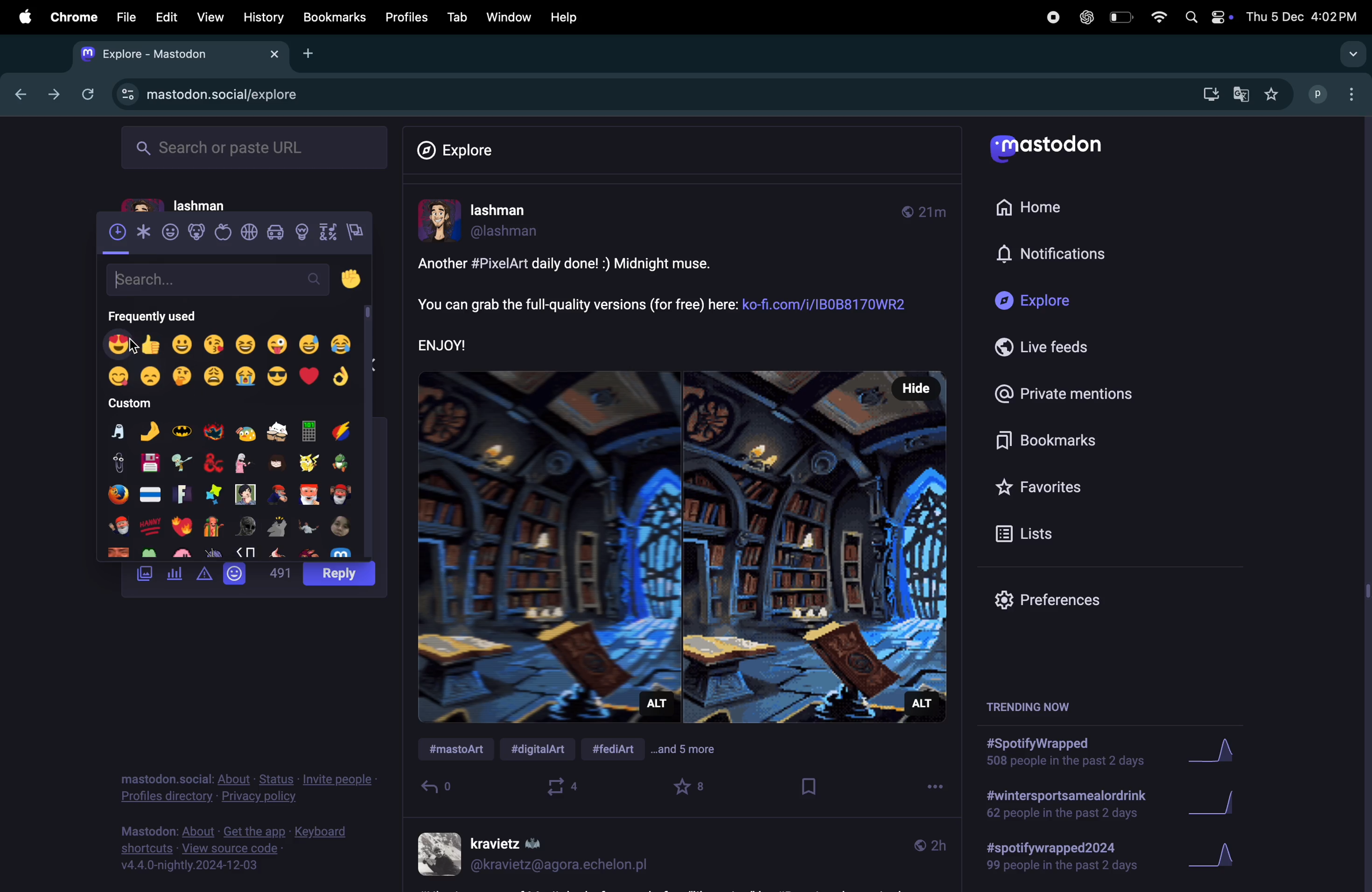  What do you see at coordinates (921, 702) in the screenshot?
I see `Alt description` at bounding box center [921, 702].